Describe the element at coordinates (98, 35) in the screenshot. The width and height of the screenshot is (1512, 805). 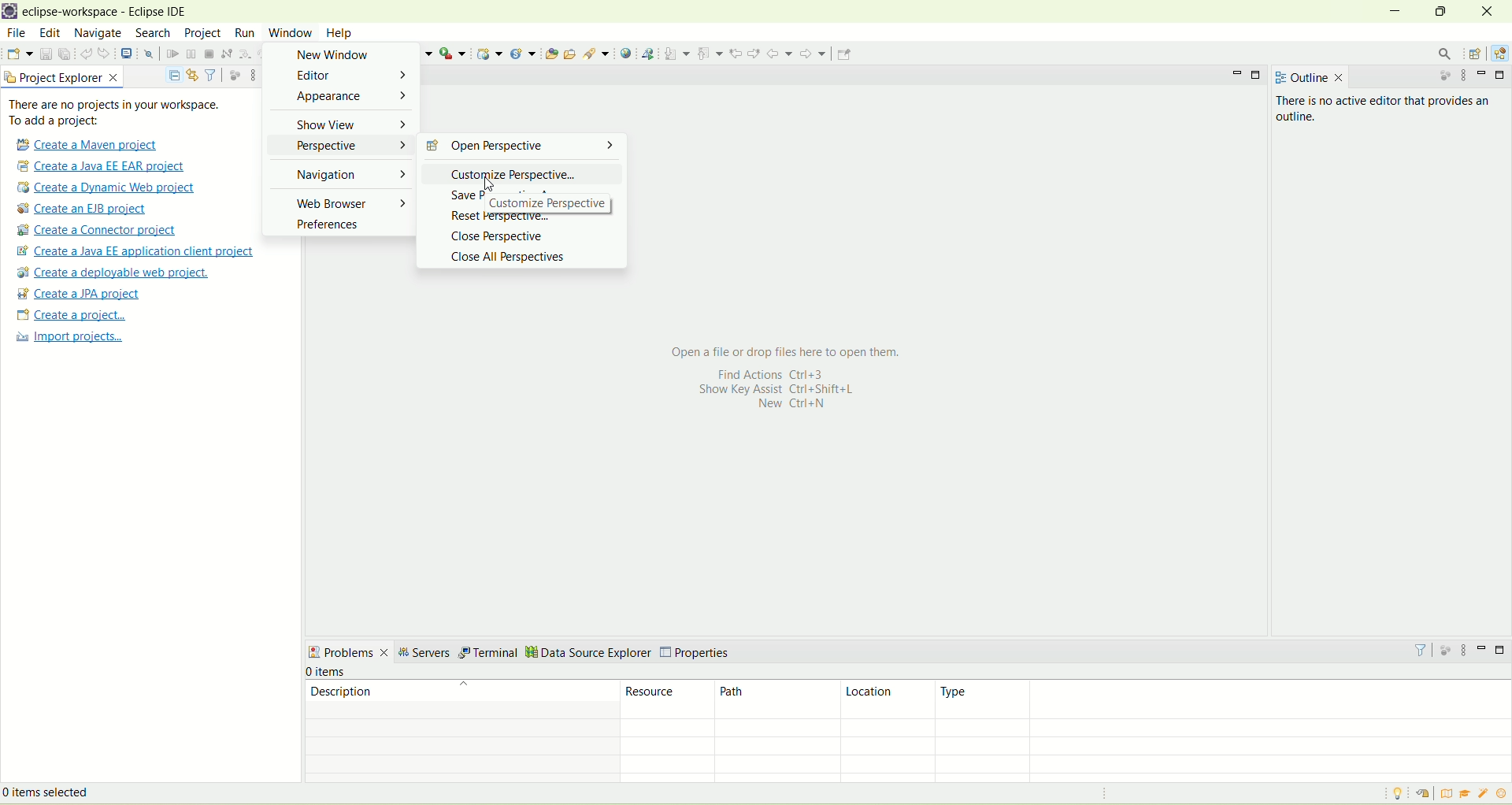
I see `navigate` at that location.